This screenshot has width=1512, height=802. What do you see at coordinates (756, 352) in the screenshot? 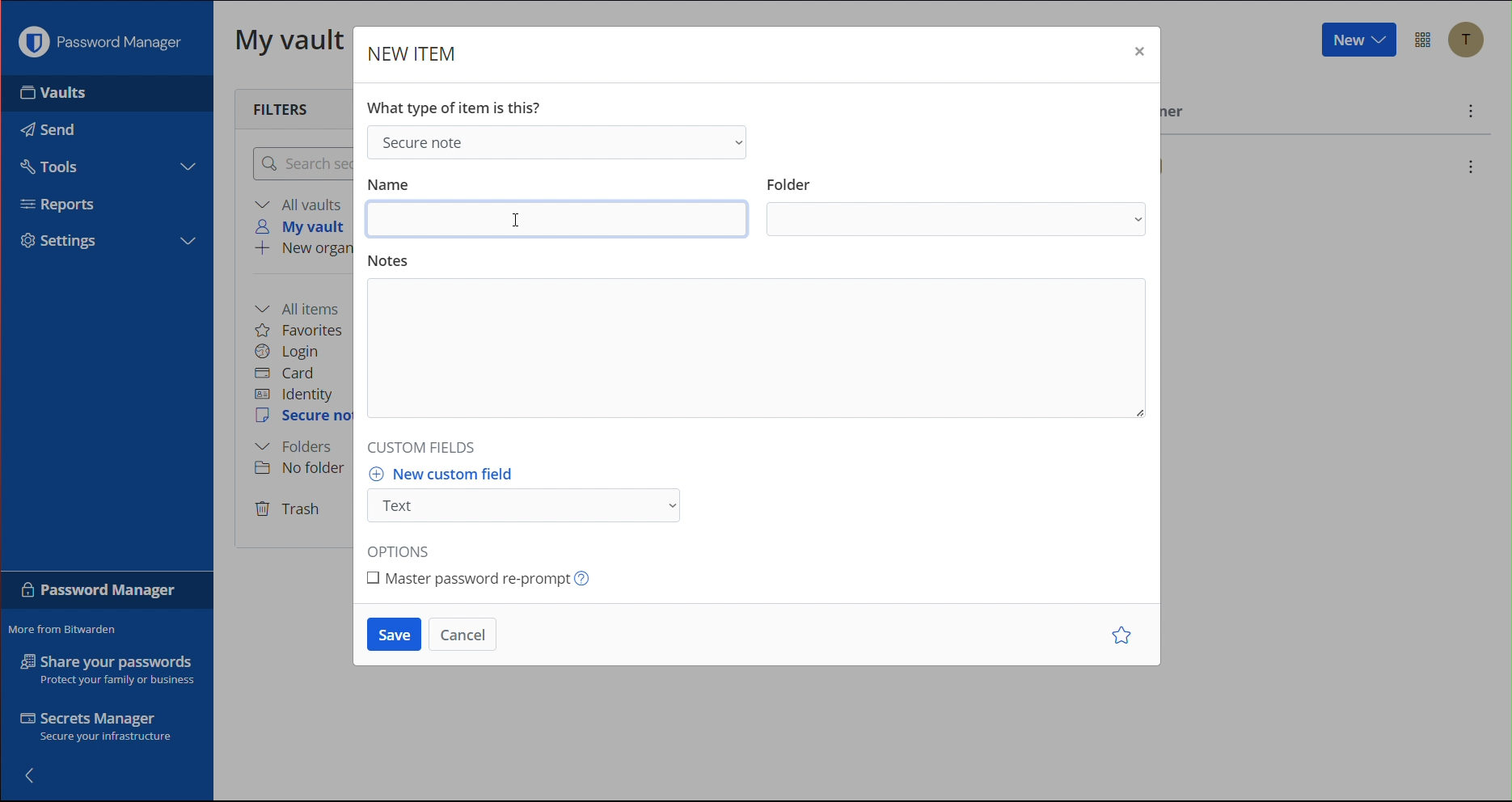
I see `Notes` at bounding box center [756, 352].